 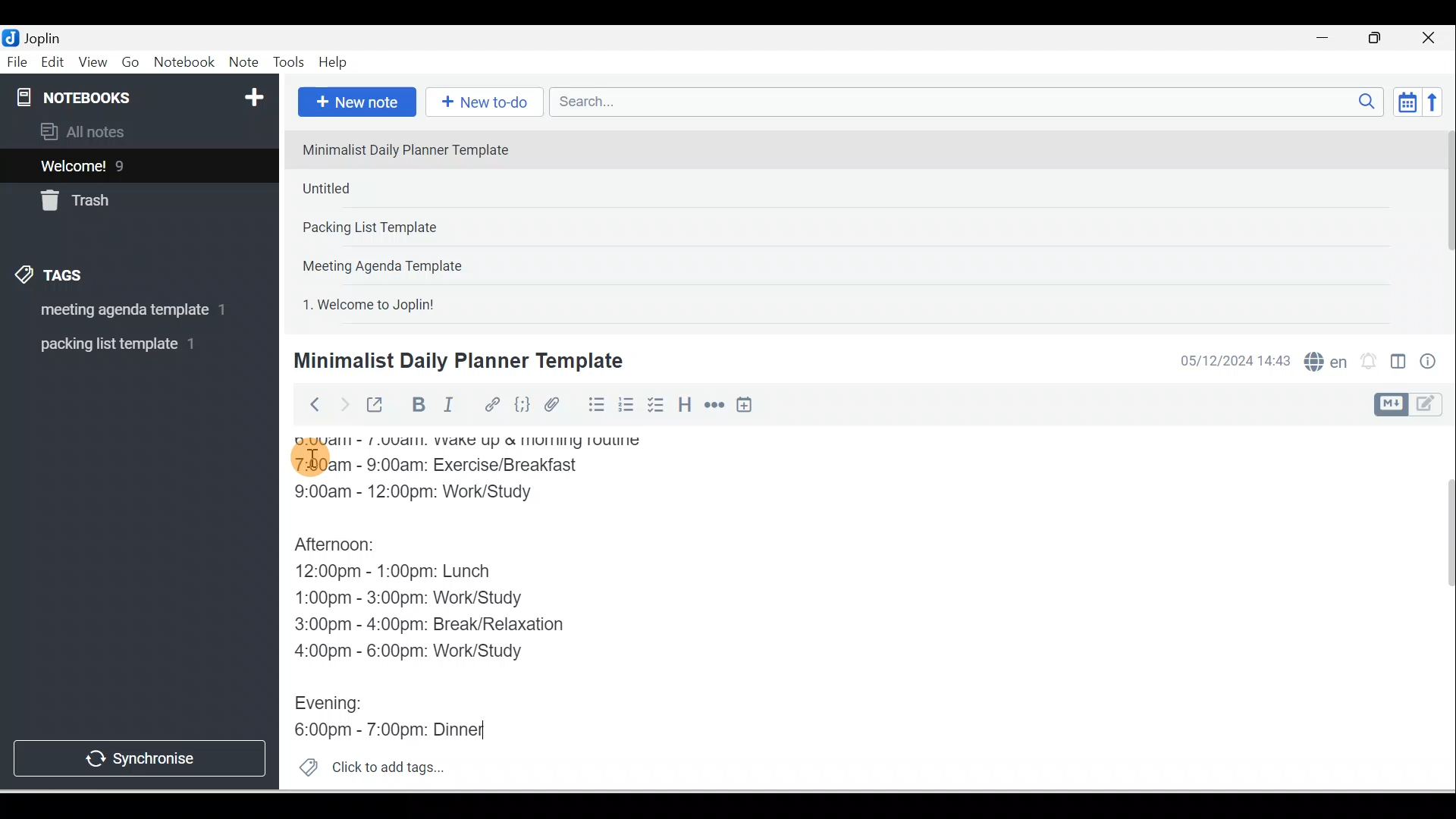 What do you see at coordinates (334, 63) in the screenshot?
I see `Help` at bounding box center [334, 63].